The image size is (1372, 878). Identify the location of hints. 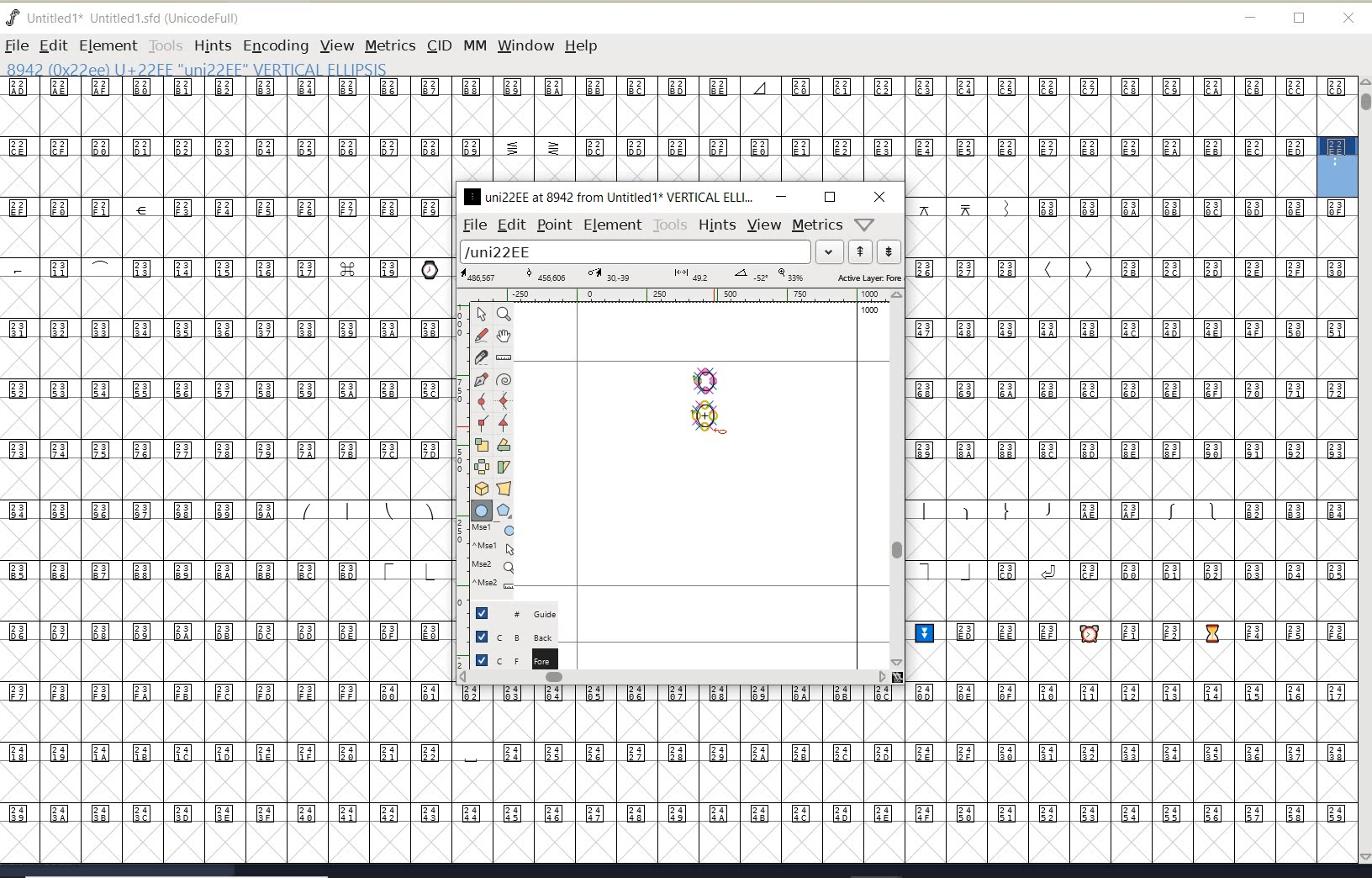
(716, 225).